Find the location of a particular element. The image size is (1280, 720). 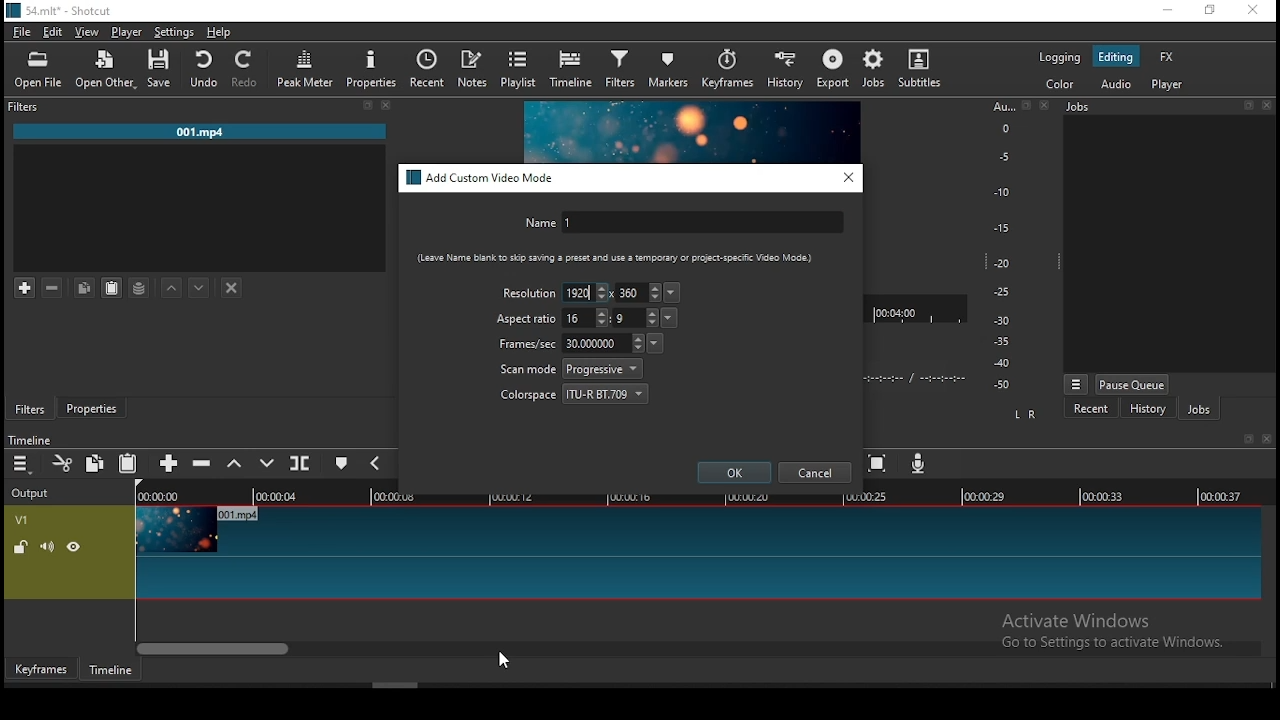

append is located at coordinates (170, 465).